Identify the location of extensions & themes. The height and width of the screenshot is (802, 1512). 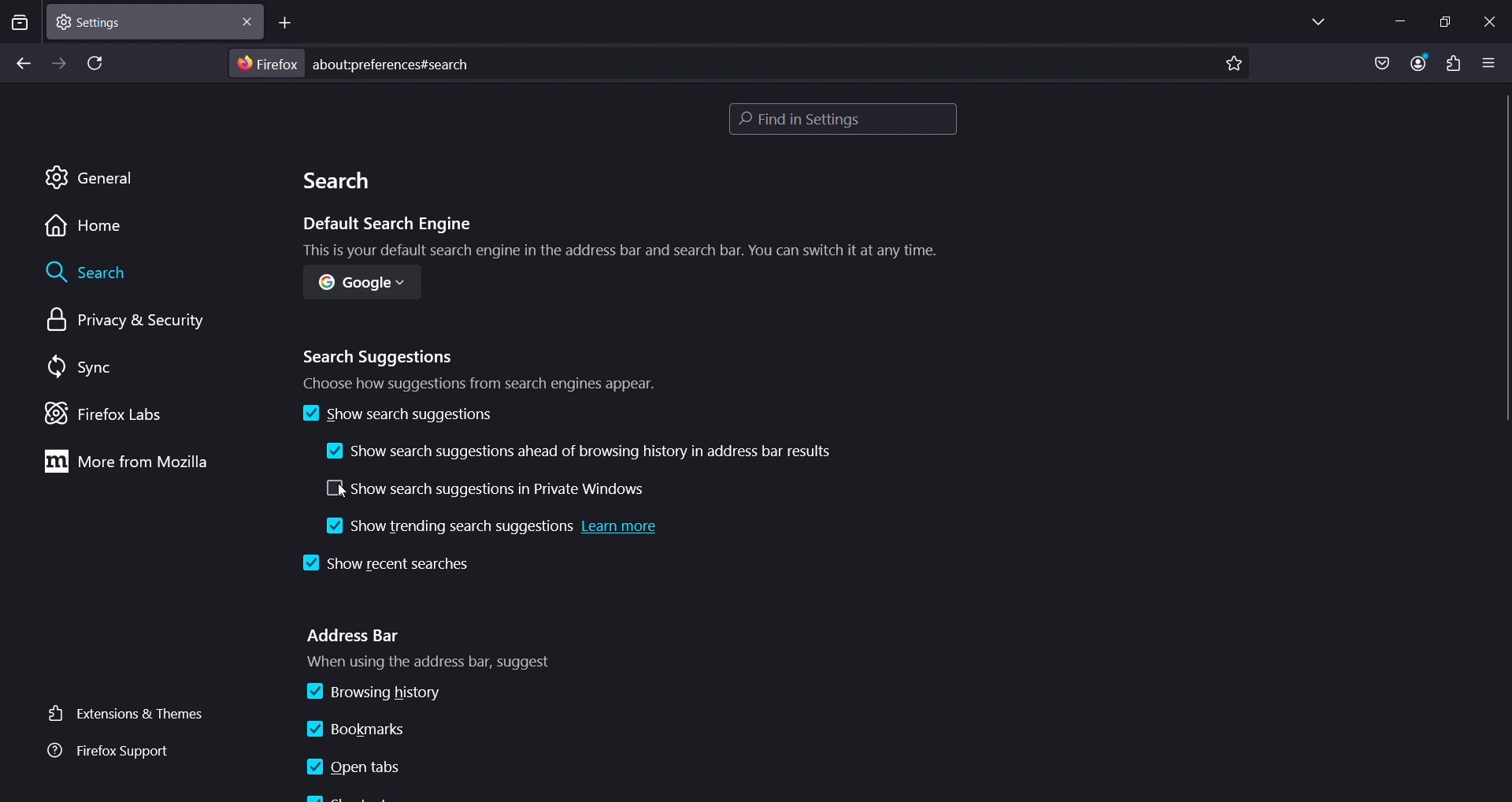
(129, 715).